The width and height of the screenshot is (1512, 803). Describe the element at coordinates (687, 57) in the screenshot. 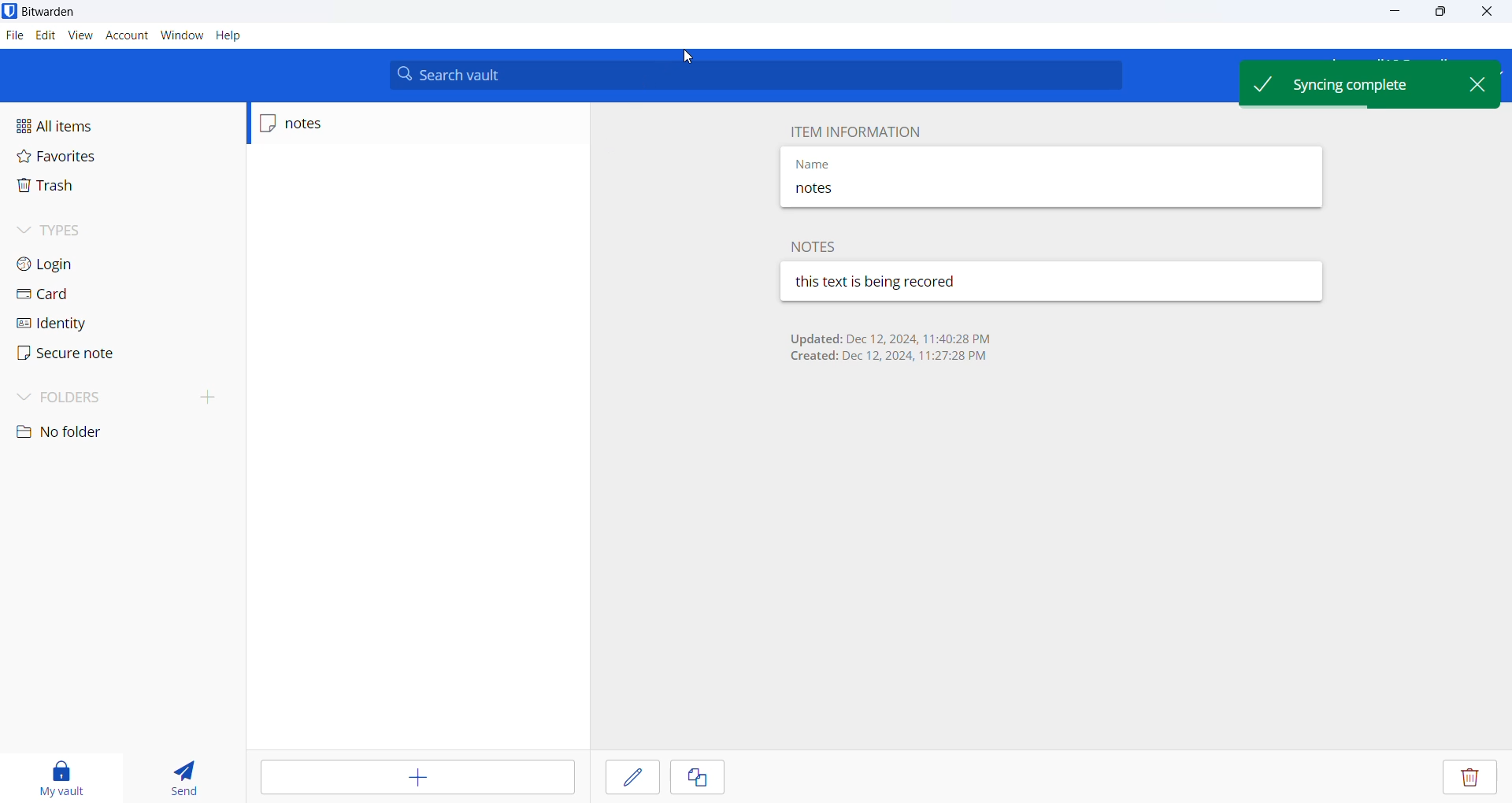

I see `cursor` at that location.